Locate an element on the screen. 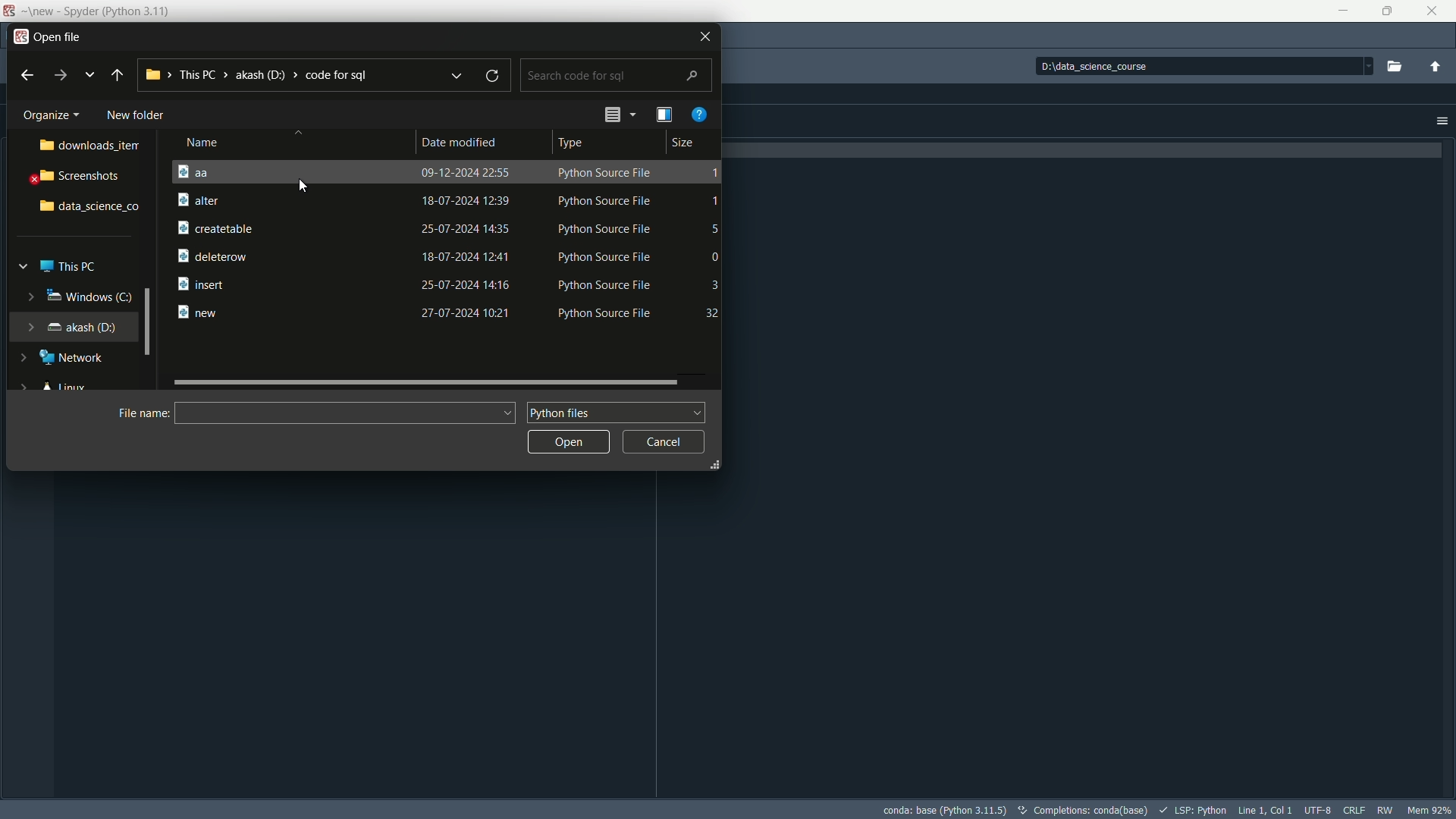 The width and height of the screenshot is (1456, 819). Up to Desktop is located at coordinates (118, 73).